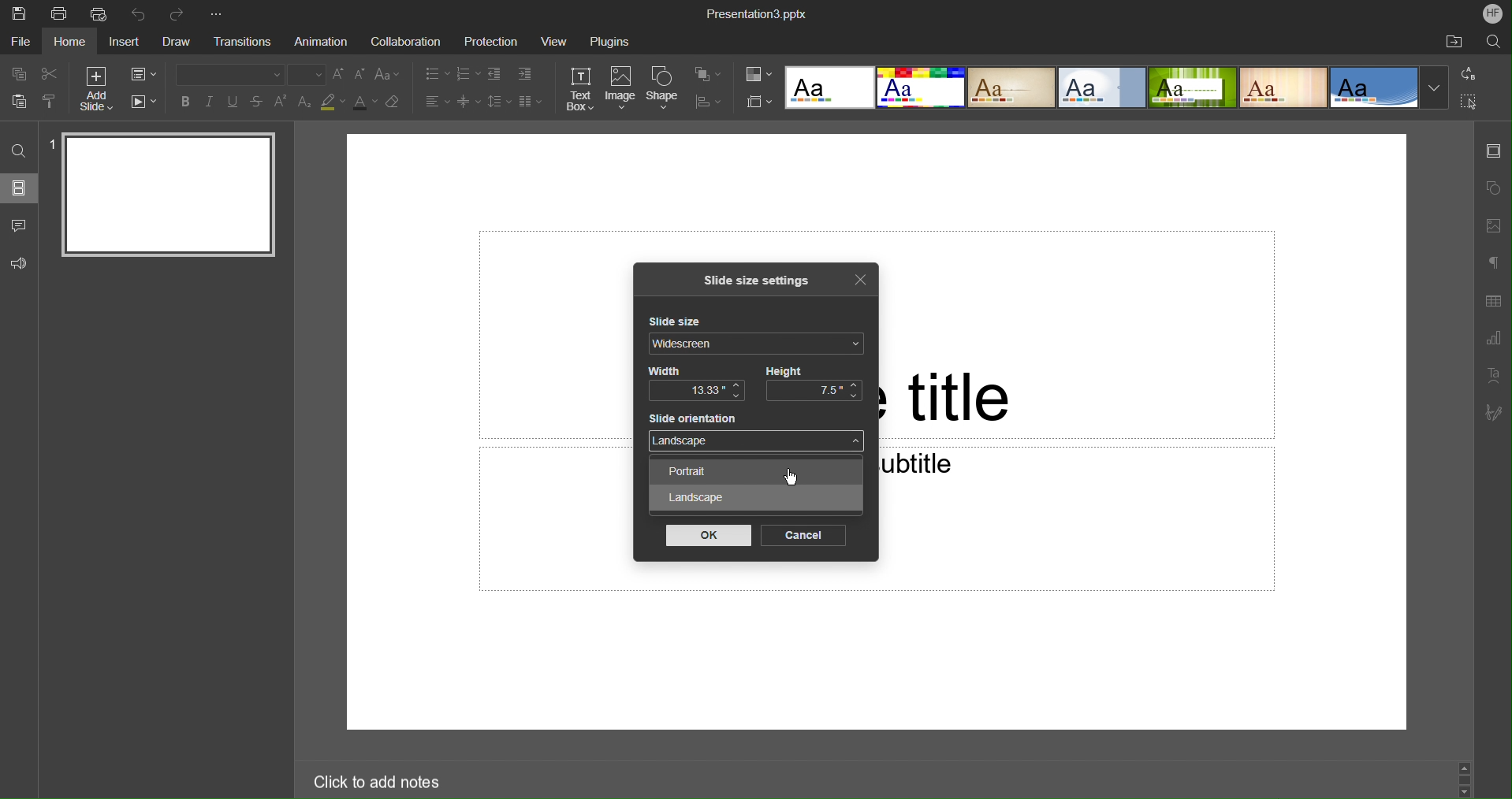  Describe the element at coordinates (51, 103) in the screenshot. I see `Copy Style` at that location.